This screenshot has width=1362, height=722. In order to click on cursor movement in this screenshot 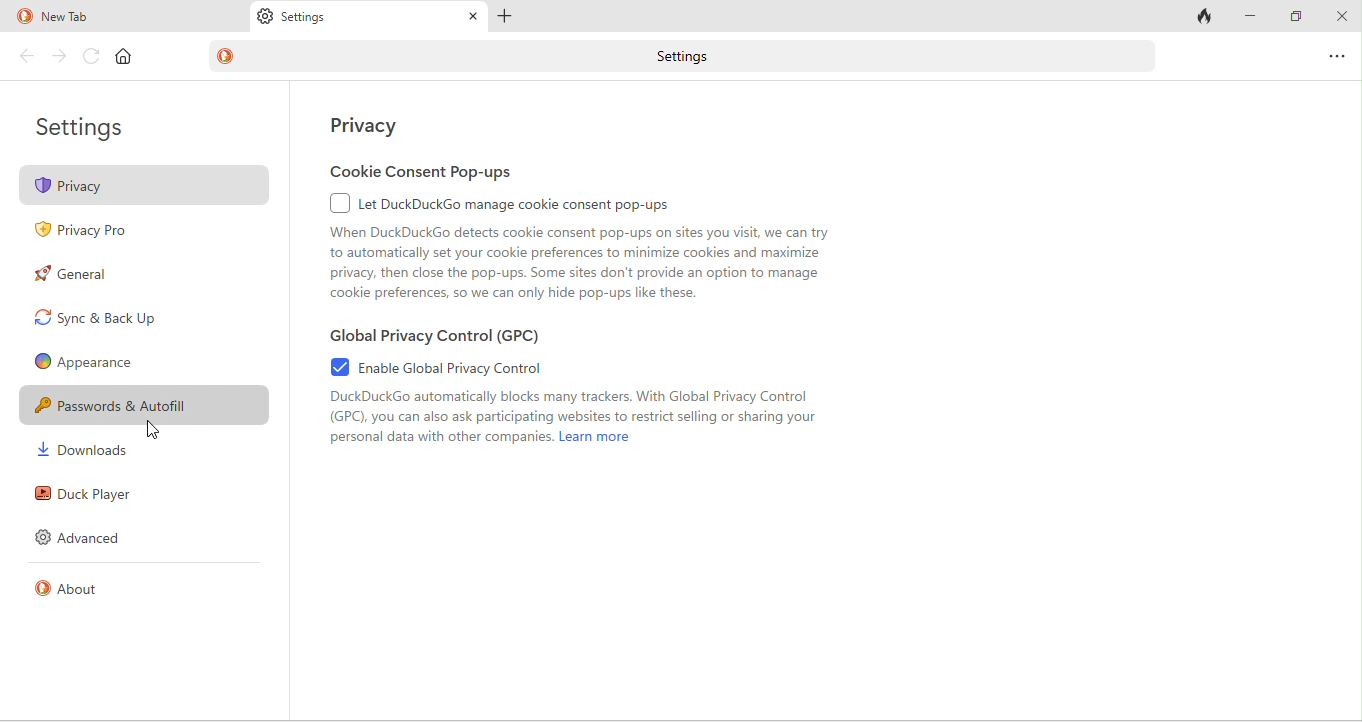, I will do `click(160, 431)`.